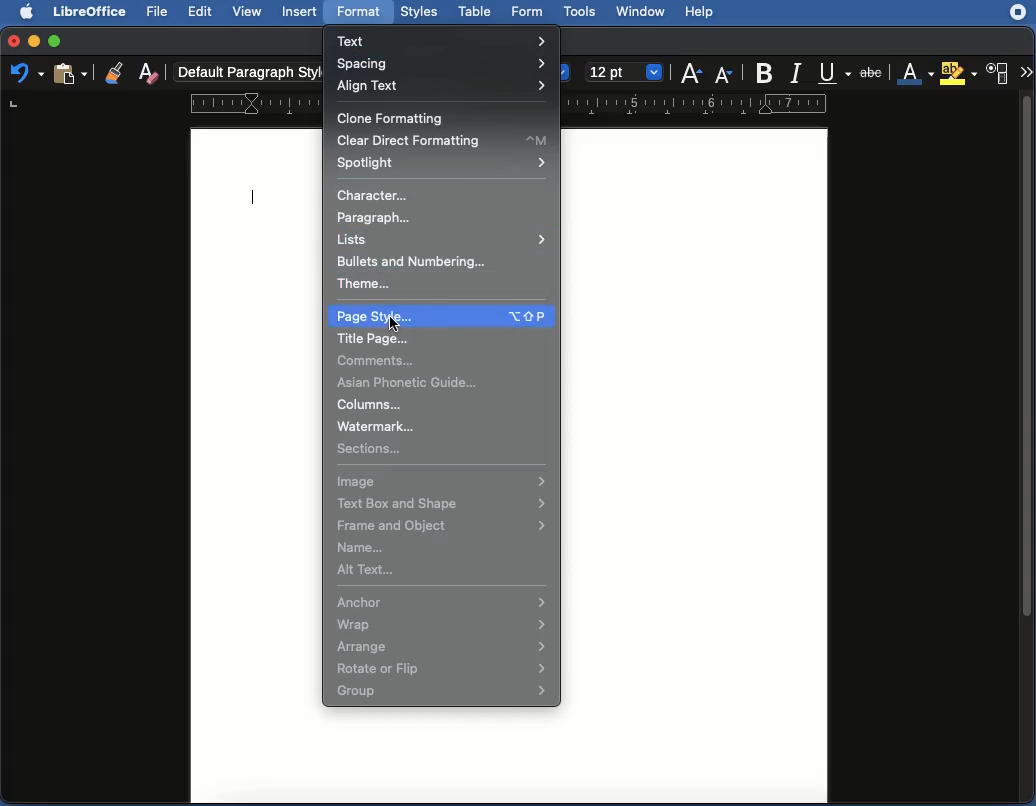 This screenshot has height=806, width=1036. What do you see at coordinates (368, 285) in the screenshot?
I see `Theme` at bounding box center [368, 285].